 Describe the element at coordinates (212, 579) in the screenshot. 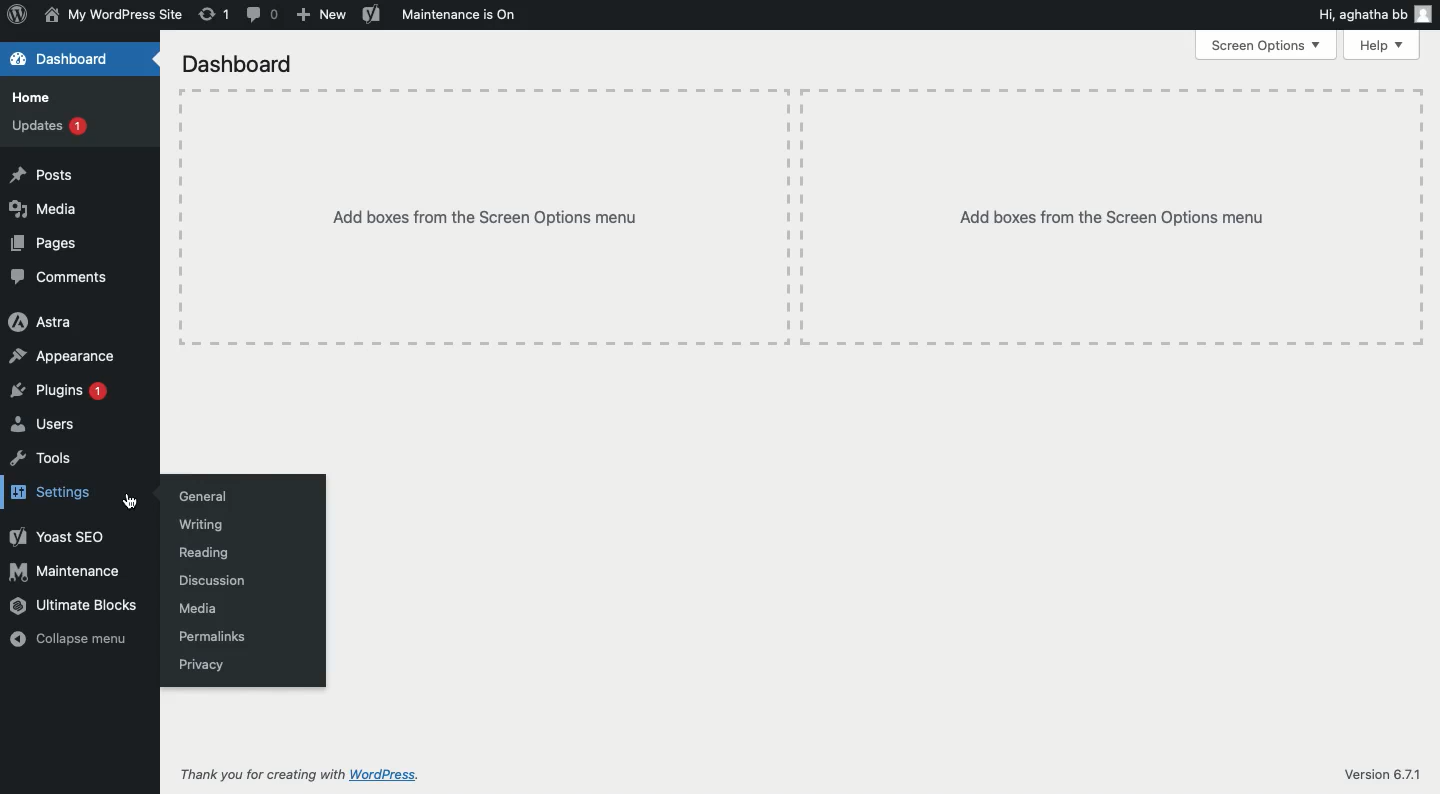

I see `Discussion` at that location.